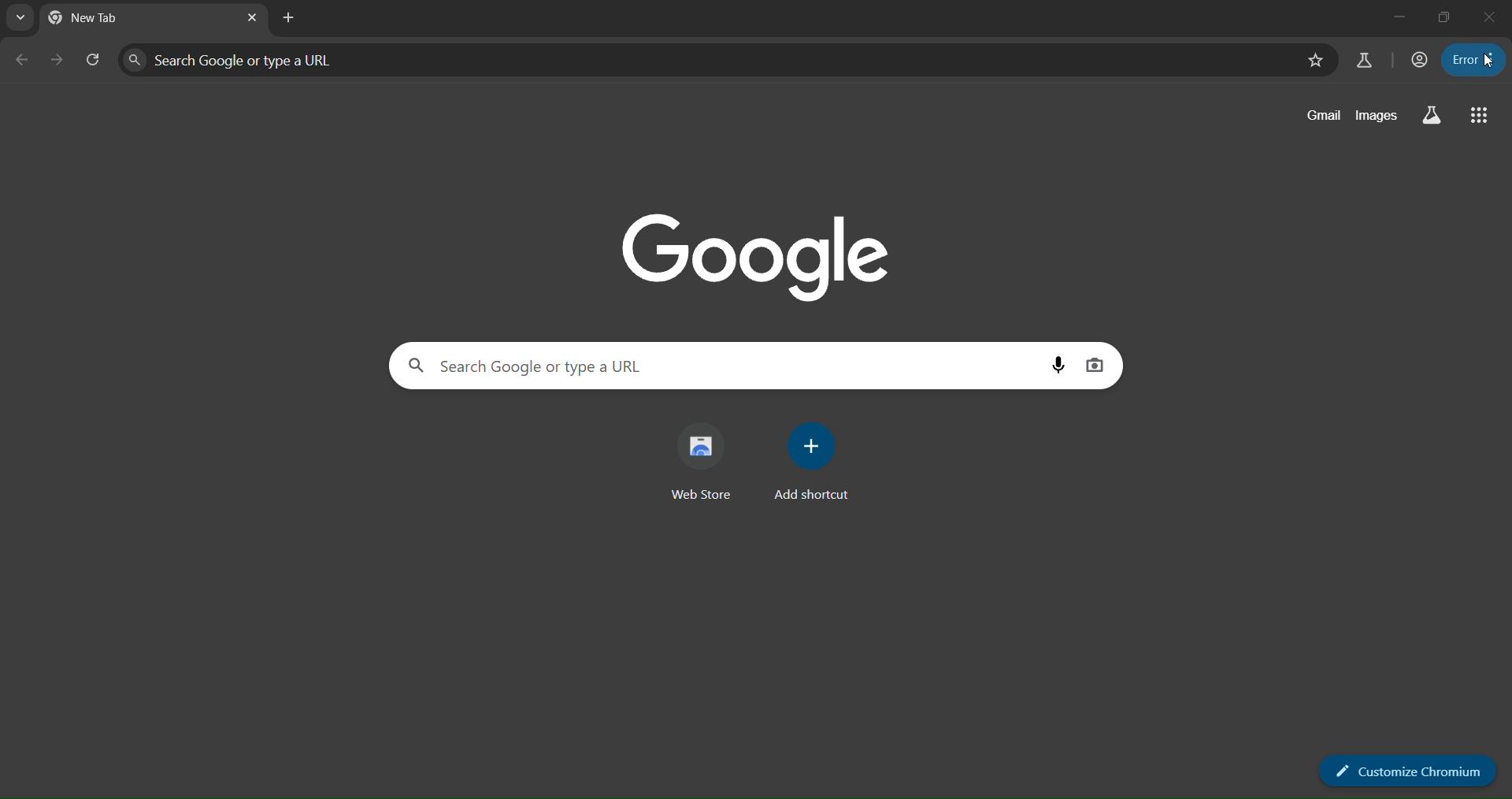 Image resolution: width=1512 pixels, height=799 pixels. Describe the element at coordinates (1322, 113) in the screenshot. I see `gmail` at that location.